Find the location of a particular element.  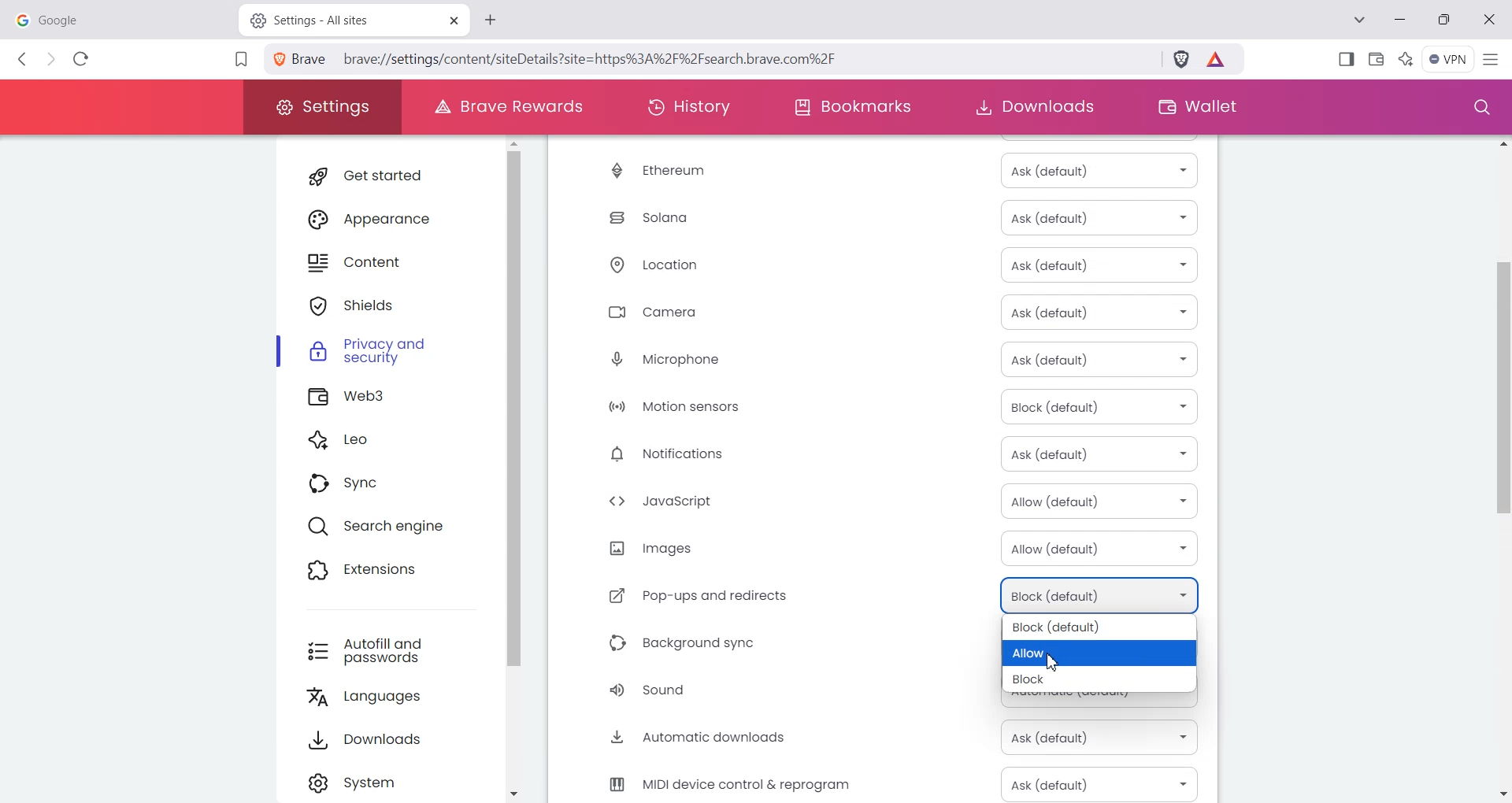

Languages is located at coordinates (396, 699).